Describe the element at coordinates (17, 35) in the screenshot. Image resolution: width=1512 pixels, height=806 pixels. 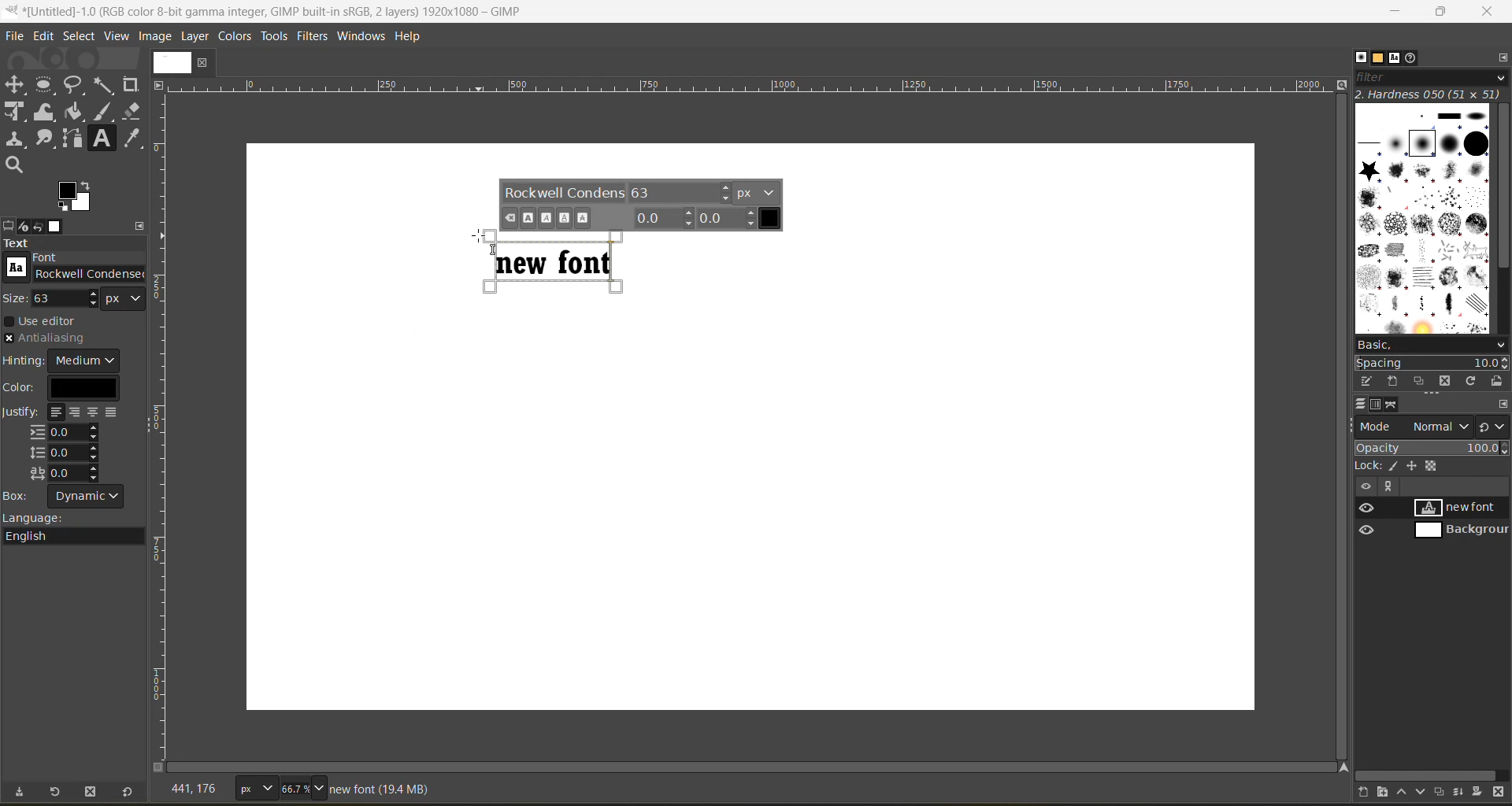
I see `file` at that location.